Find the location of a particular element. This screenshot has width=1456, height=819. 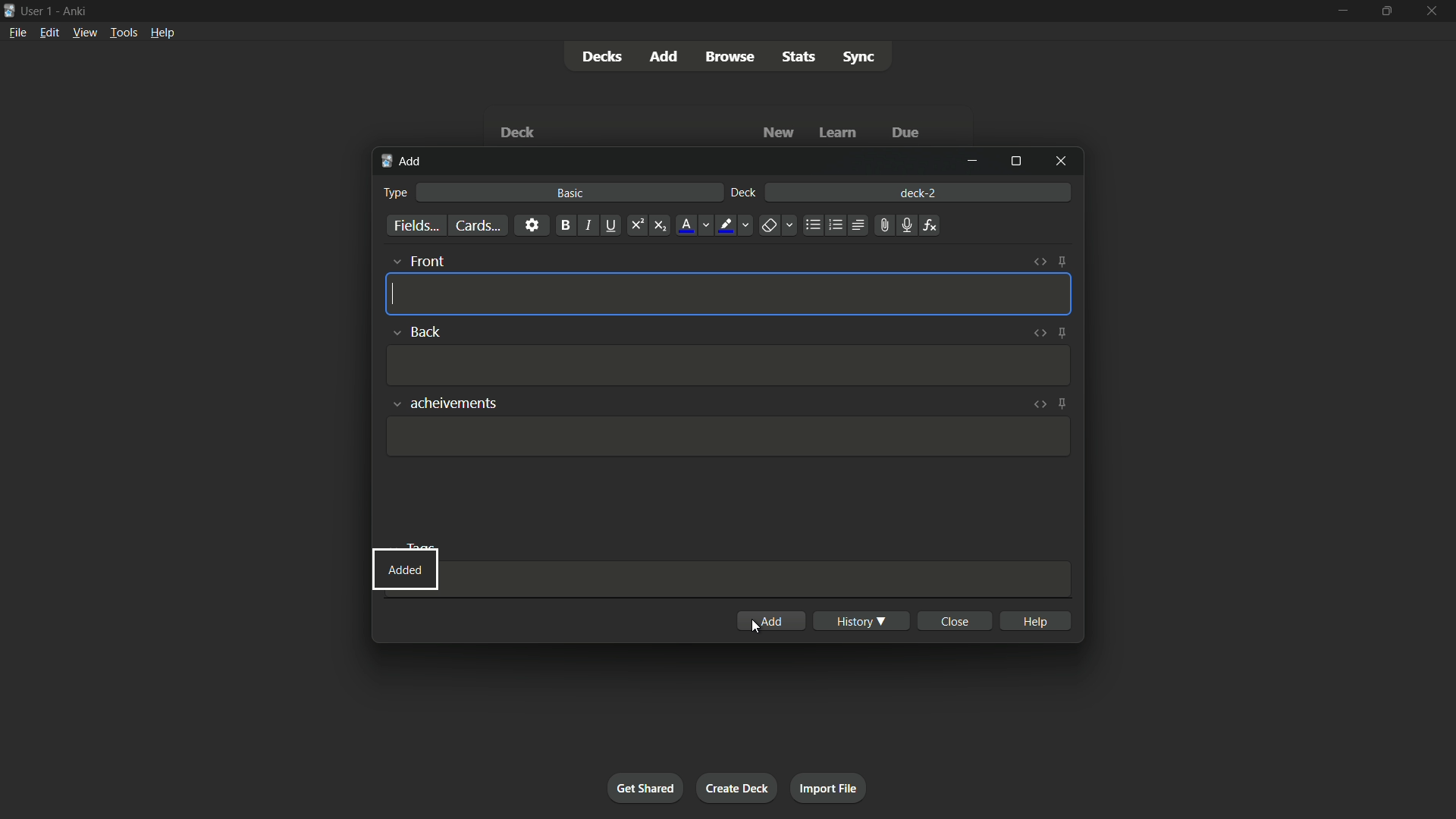

back is located at coordinates (418, 331).